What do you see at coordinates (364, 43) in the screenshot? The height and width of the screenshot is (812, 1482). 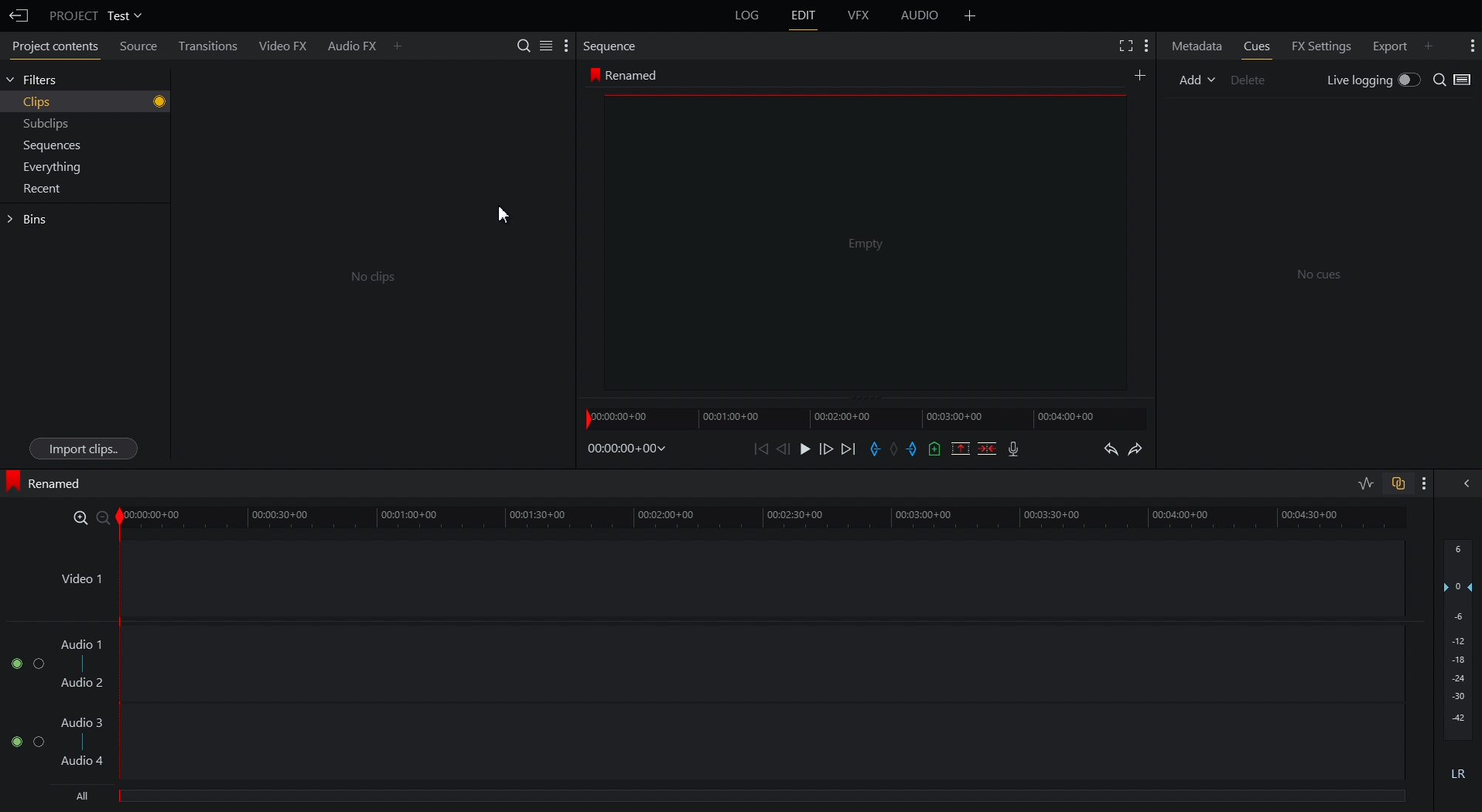 I see `Audio FX` at bounding box center [364, 43].